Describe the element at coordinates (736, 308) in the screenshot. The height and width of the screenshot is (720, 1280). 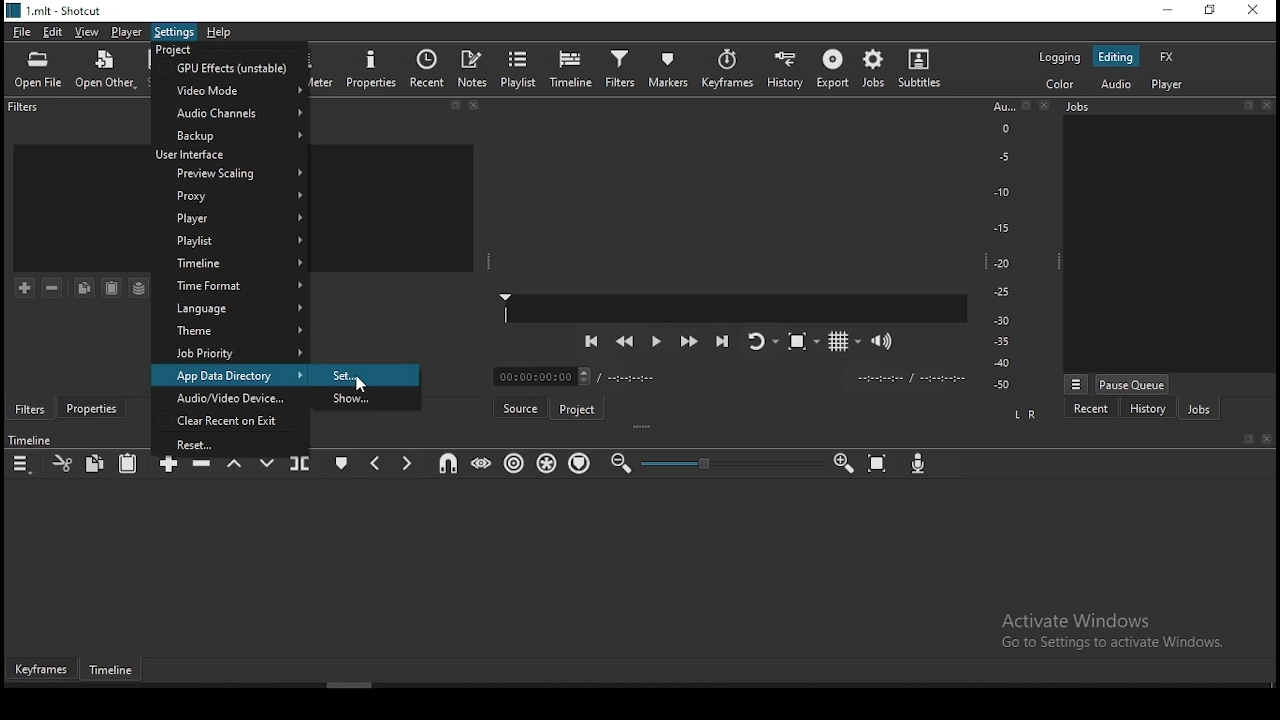
I see `Player` at that location.